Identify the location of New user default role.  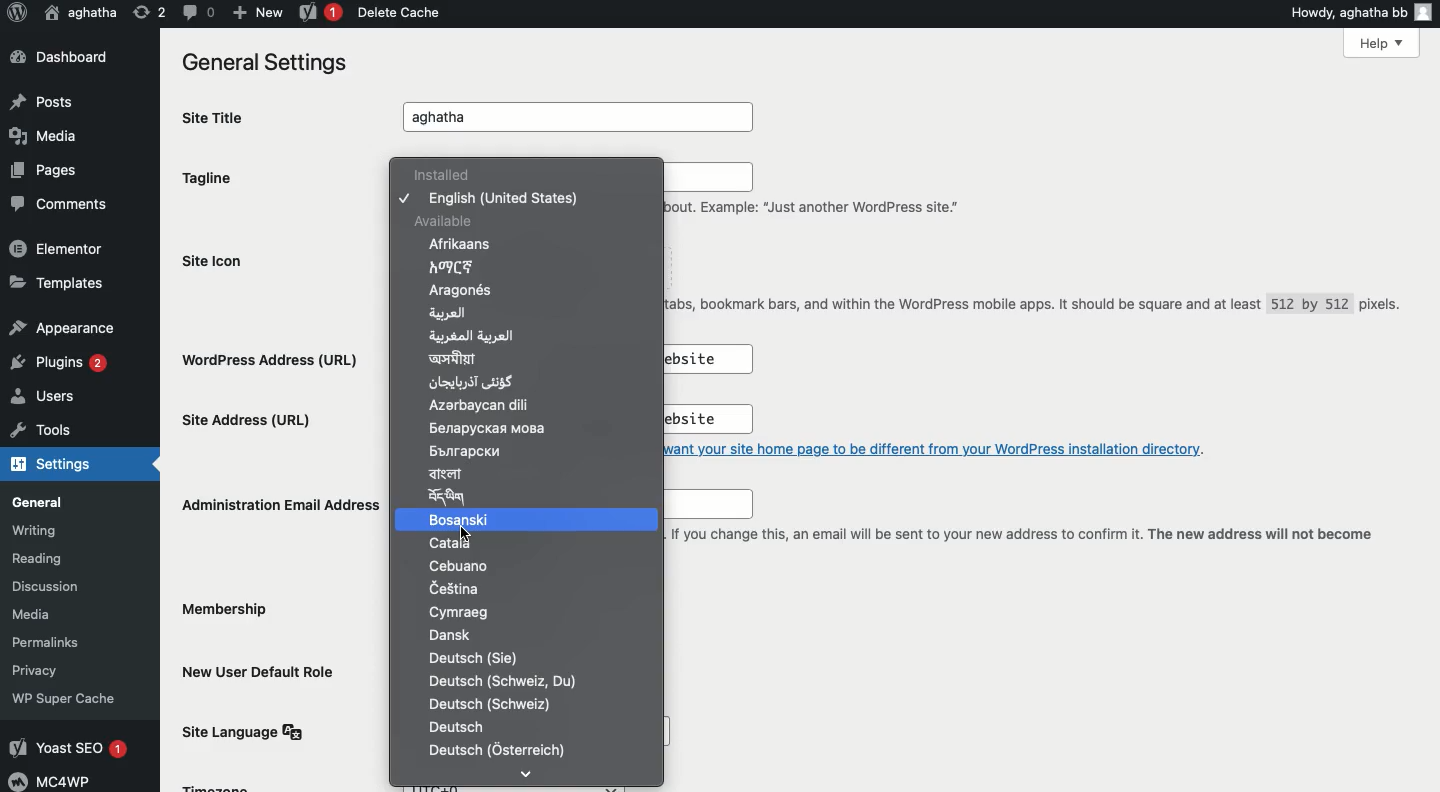
(264, 670).